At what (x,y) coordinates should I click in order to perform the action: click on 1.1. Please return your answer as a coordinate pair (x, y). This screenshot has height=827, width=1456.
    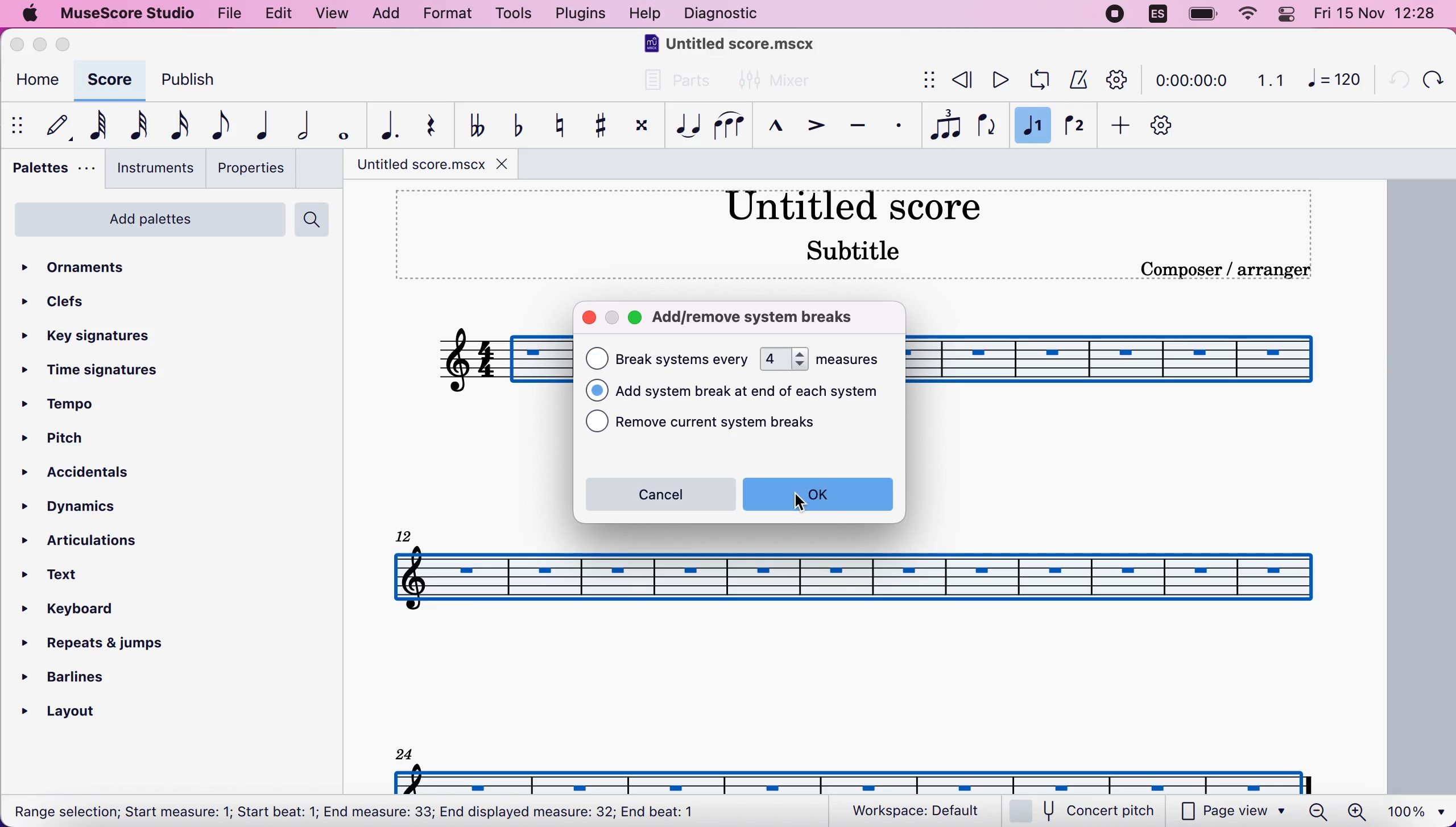
    Looking at the image, I should click on (1271, 80).